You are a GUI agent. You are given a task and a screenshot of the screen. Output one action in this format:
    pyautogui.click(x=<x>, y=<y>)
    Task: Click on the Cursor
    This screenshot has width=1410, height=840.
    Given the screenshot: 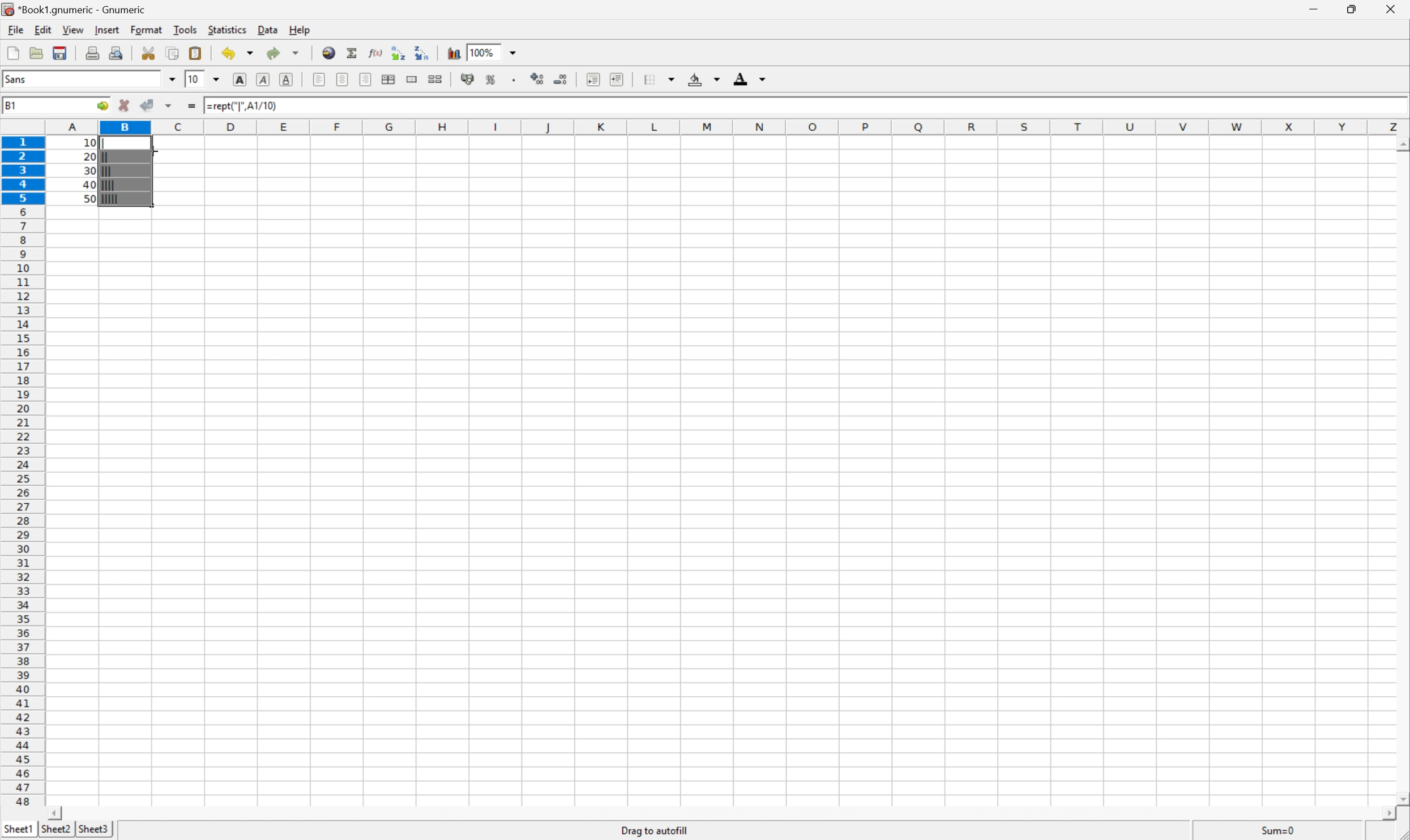 What is the action you would take?
    pyautogui.click(x=114, y=141)
    